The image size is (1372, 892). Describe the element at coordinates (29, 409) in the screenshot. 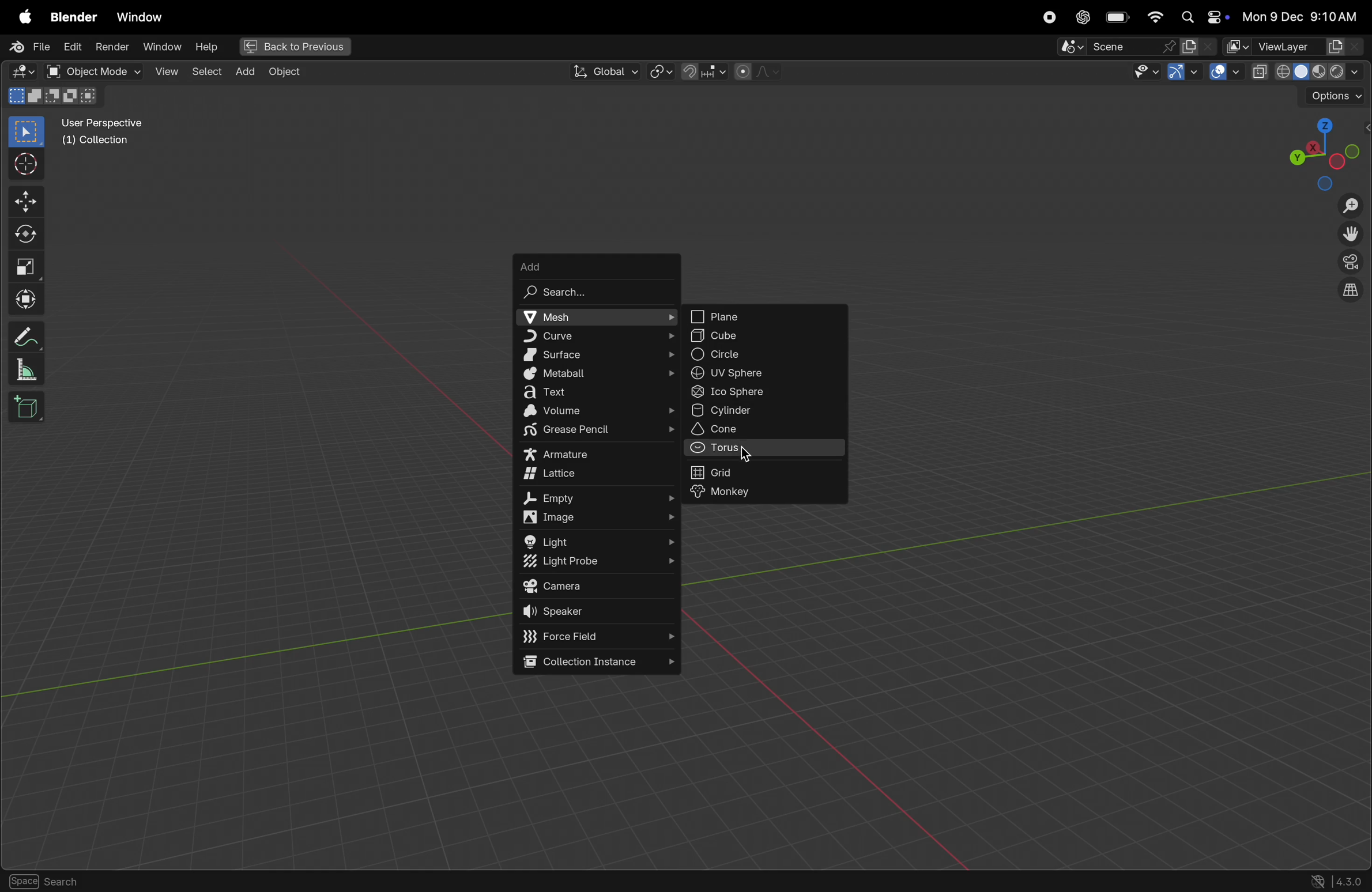

I see `add cube` at that location.